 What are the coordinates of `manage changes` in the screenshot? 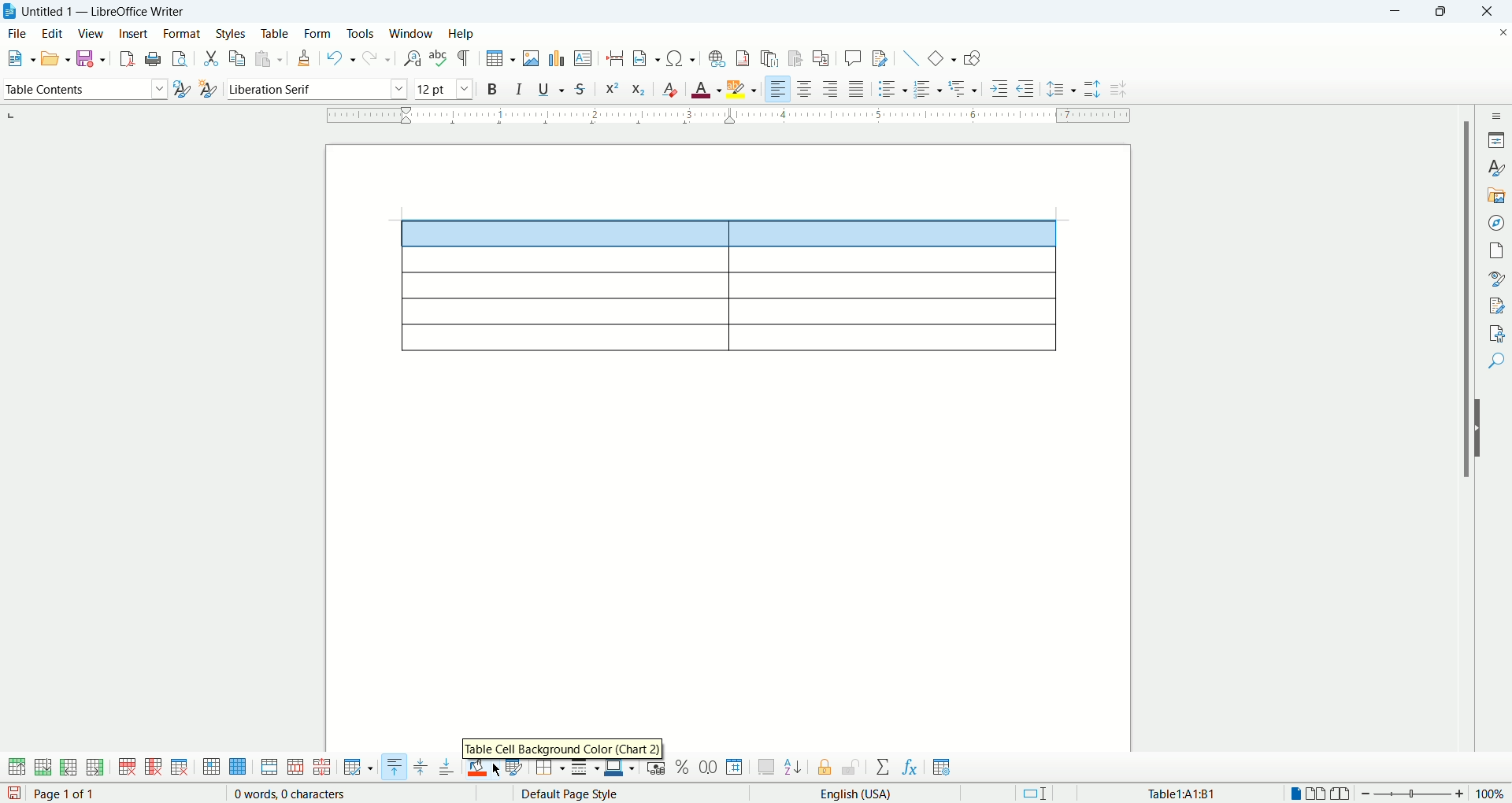 It's located at (1496, 304).